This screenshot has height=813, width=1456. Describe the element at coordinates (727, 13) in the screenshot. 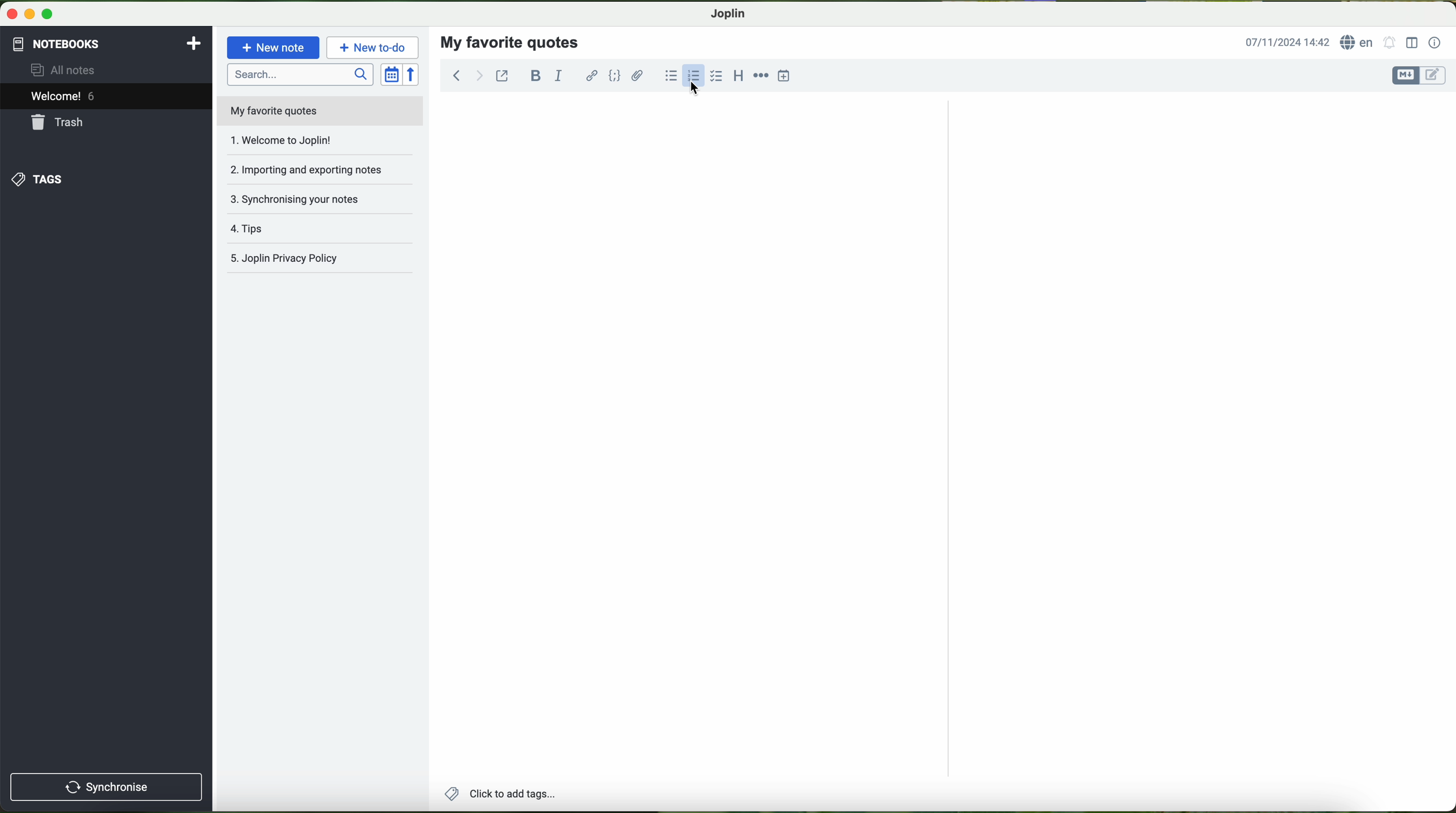

I see `Joplin` at that location.